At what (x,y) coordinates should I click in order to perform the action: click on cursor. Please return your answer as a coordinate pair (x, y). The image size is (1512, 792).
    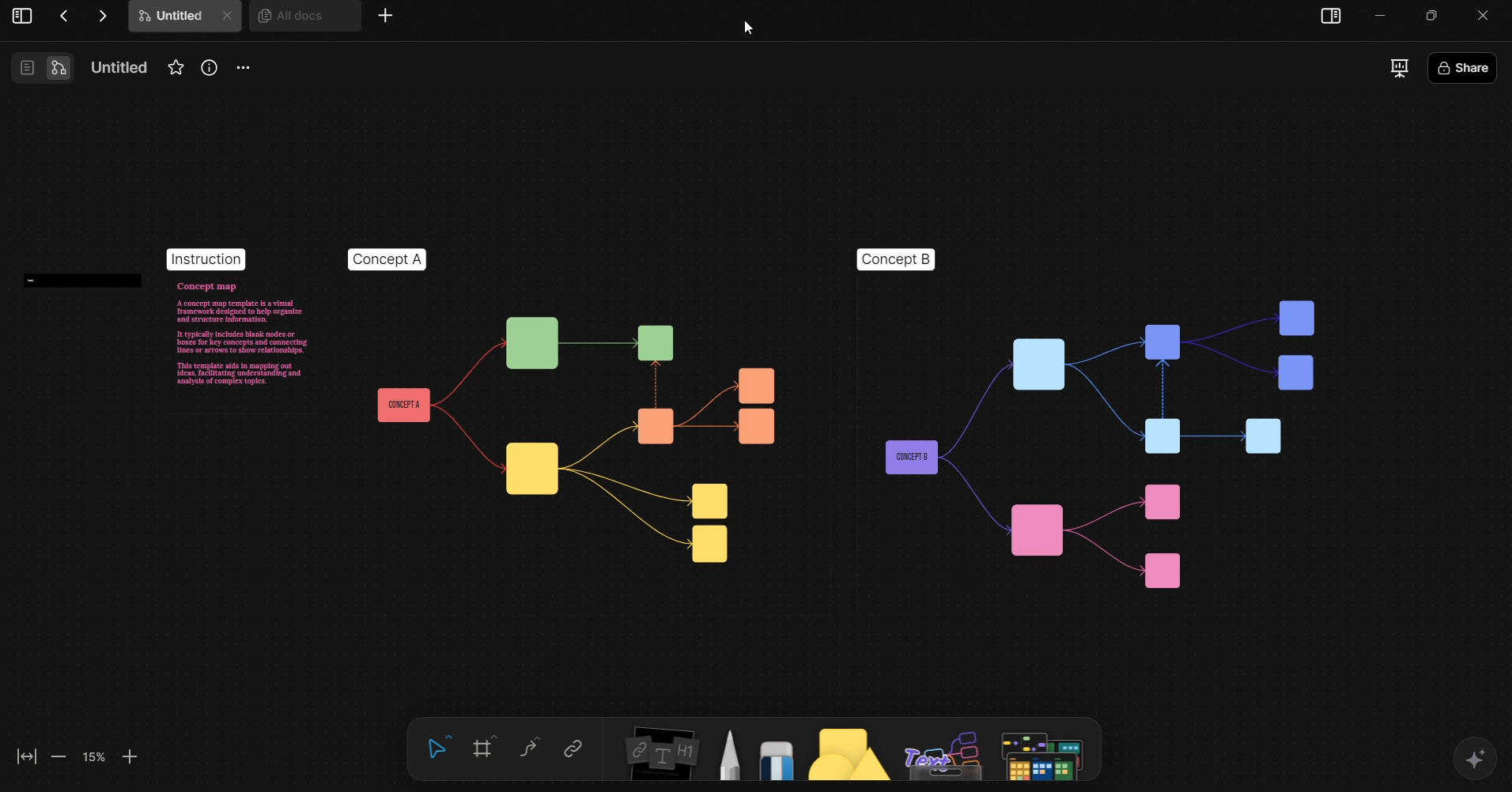
    Looking at the image, I should click on (756, 32).